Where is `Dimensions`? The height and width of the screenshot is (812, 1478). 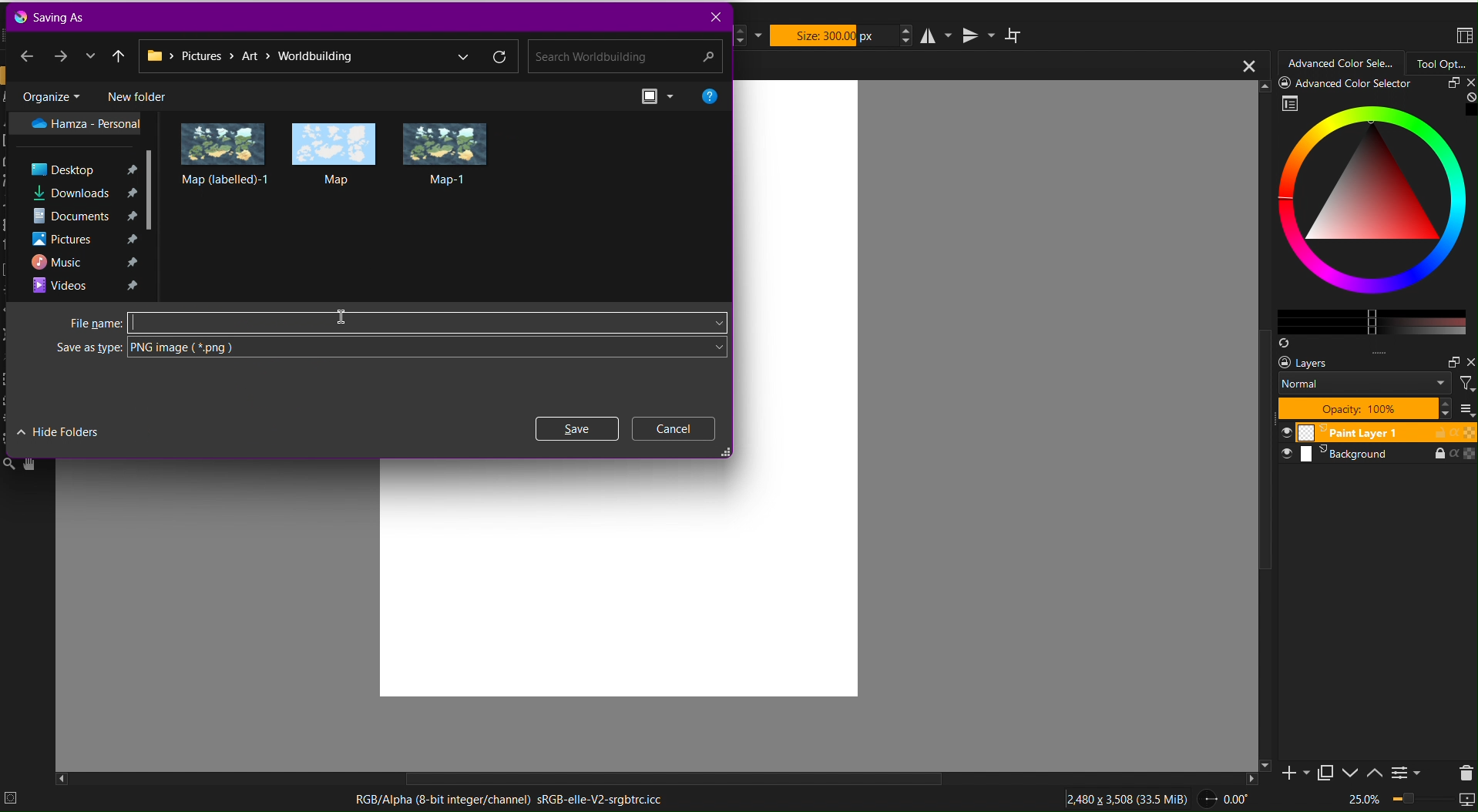 Dimensions is located at coordinates (1130, 797).